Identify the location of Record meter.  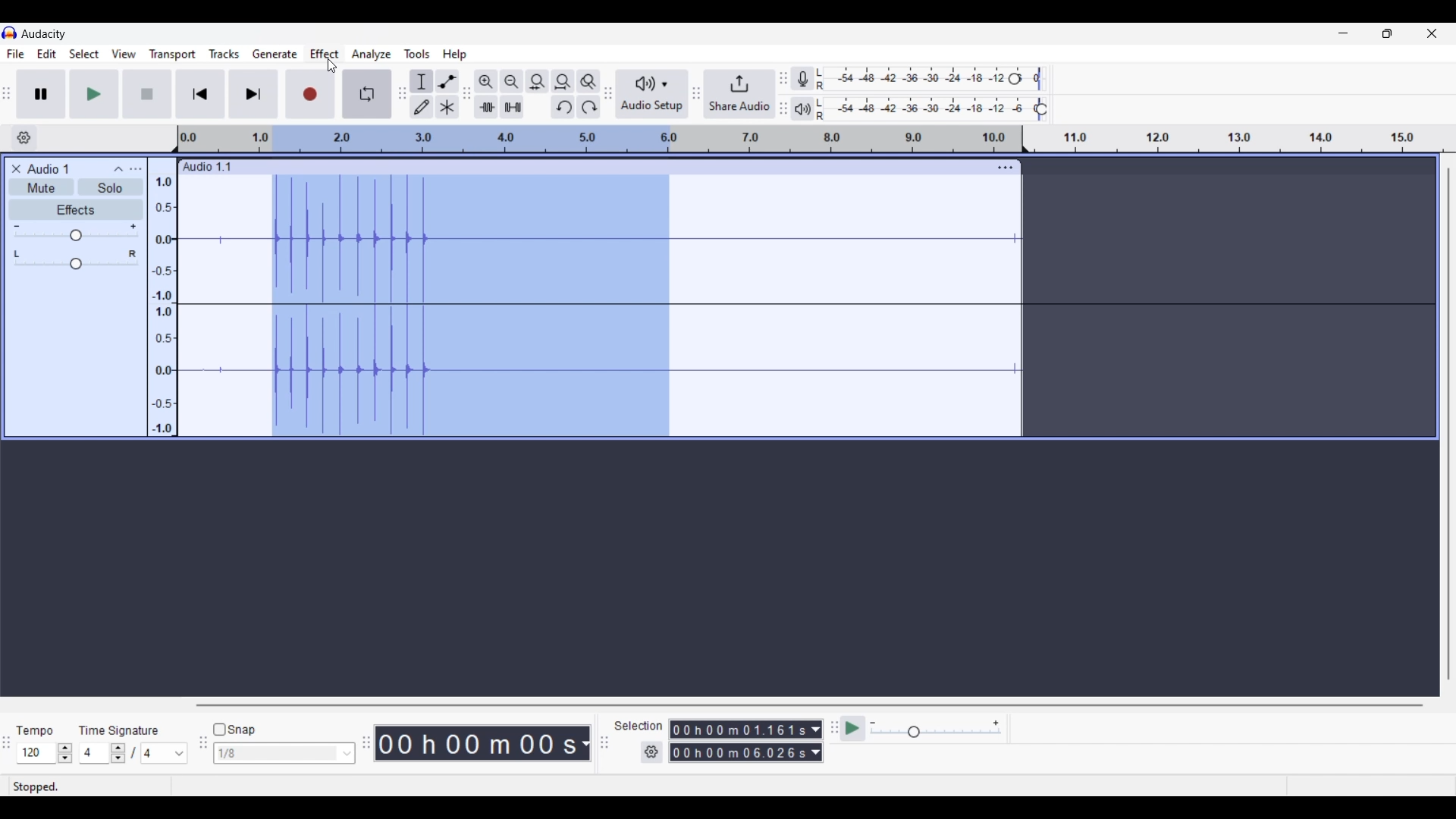
(802, 78).